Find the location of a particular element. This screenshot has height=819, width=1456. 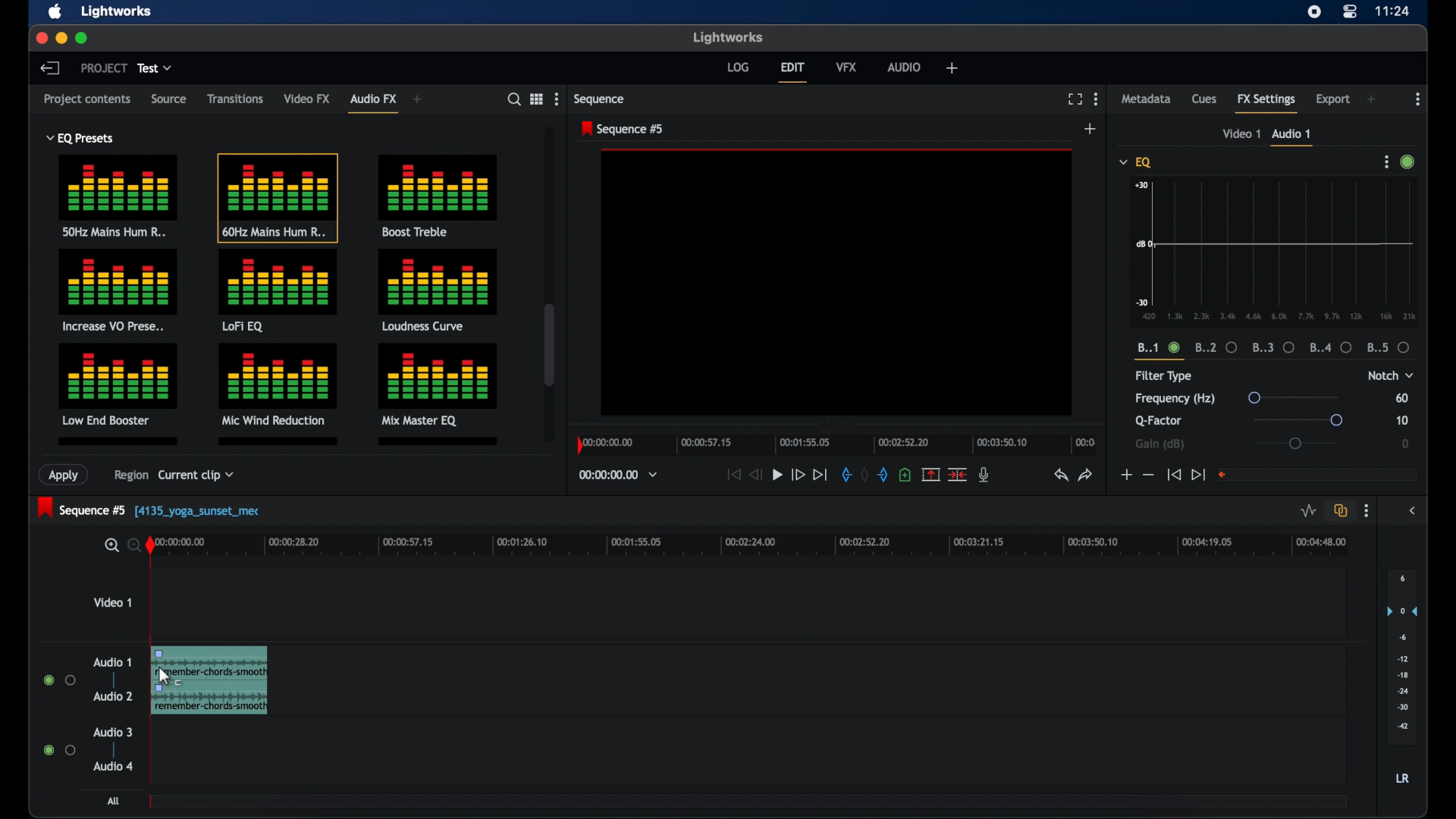

audio is located at coordinates (905, 66).